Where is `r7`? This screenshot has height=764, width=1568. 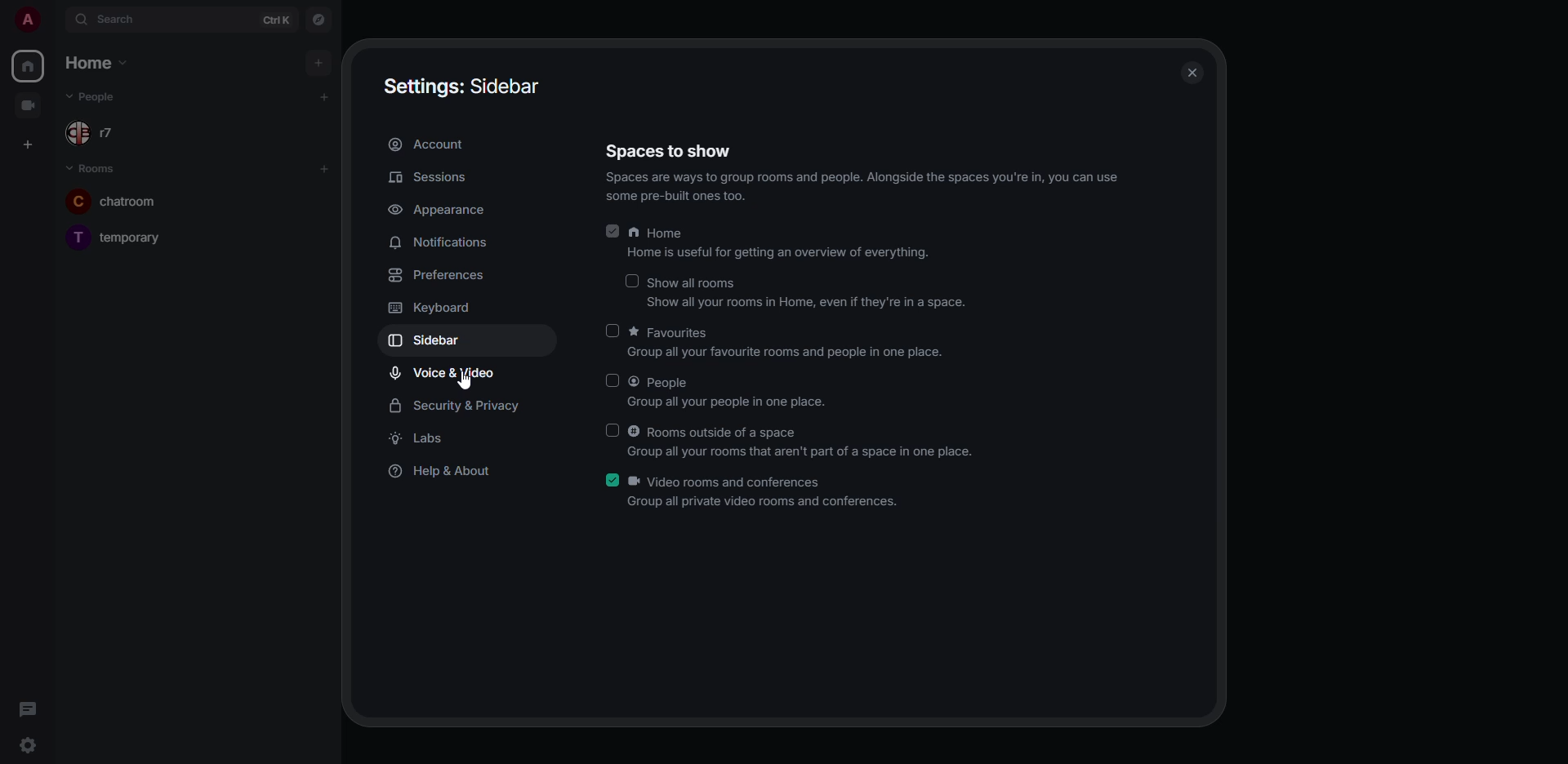 r7 is located at coordinates (101, 134).